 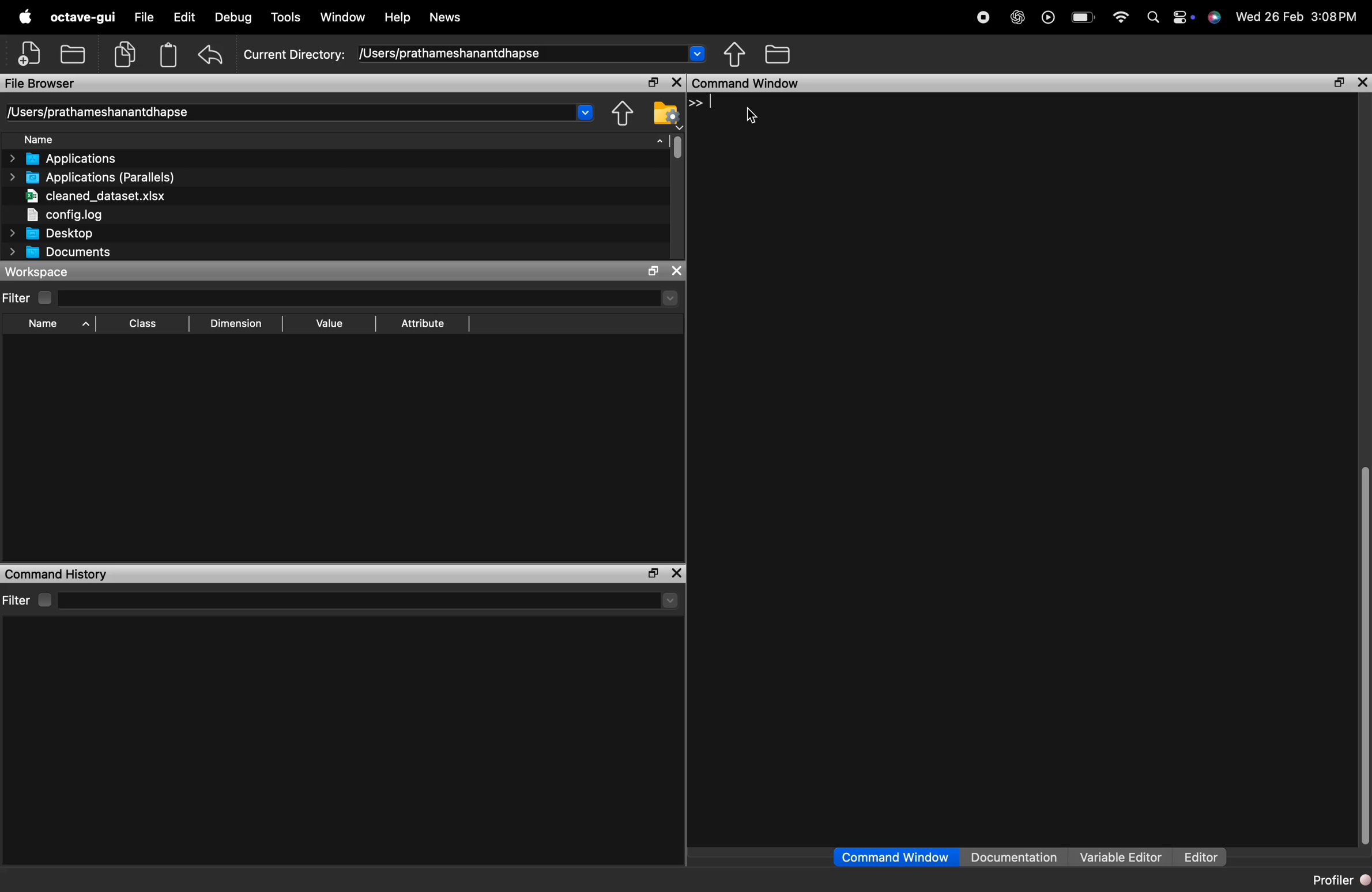 I want to click on chat gpt, so click(x=1018, y=18).